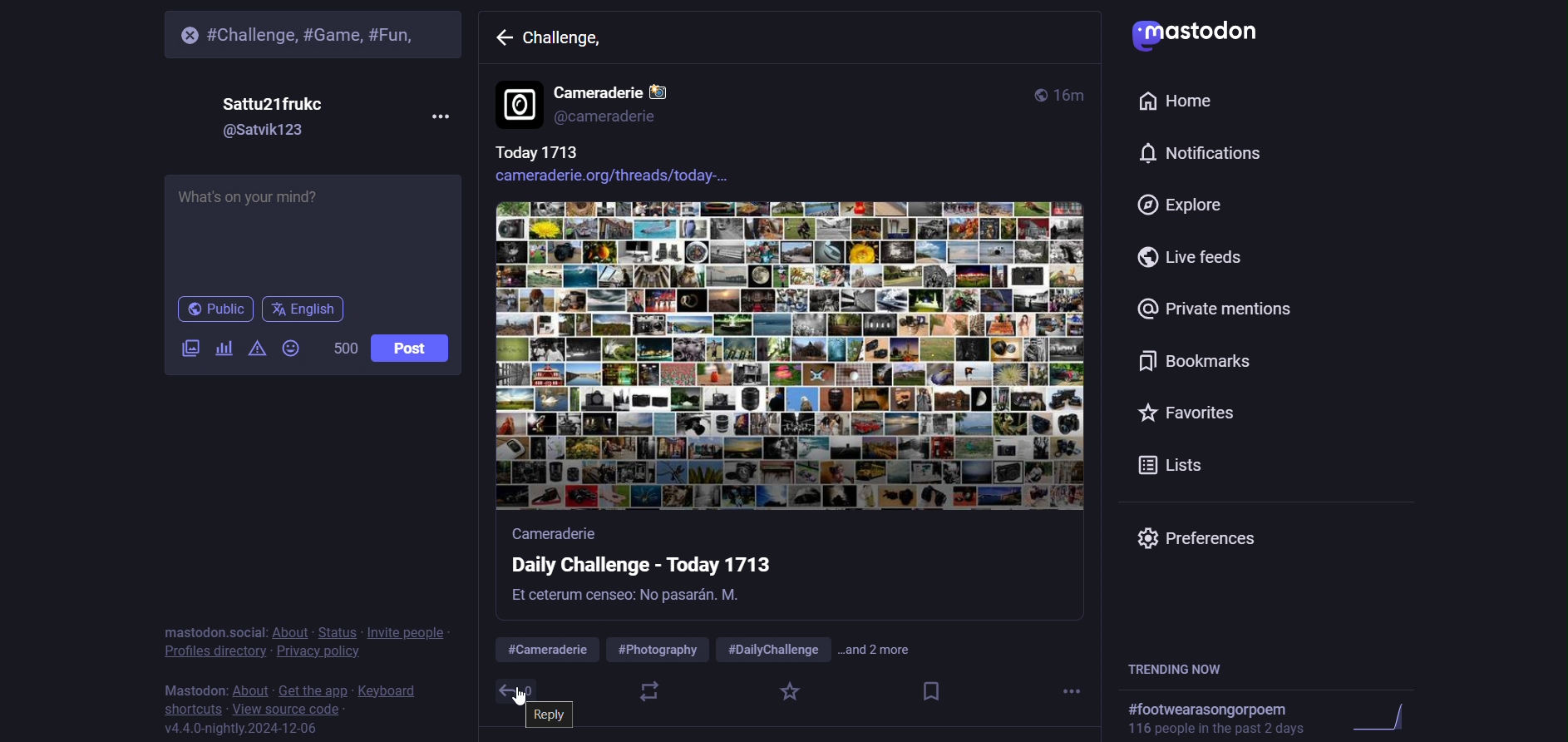  Describe the element at coordinates (618, 117) in the screenshot. I see `(@cameraderie` at that location.